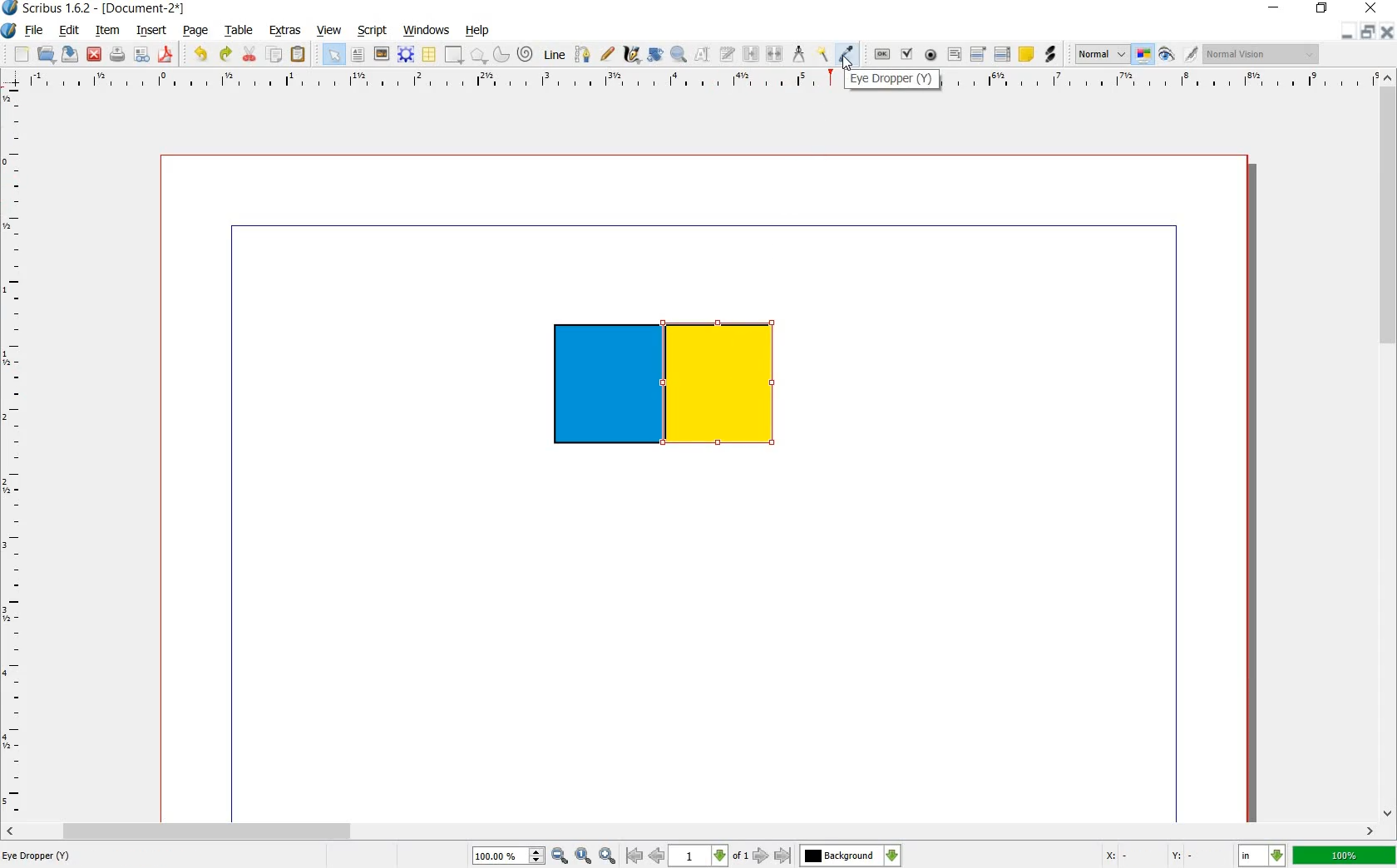  What do you see at coordinates (501, 55) in the screenshot?
I see `arc` at bounding box center [501, 55].